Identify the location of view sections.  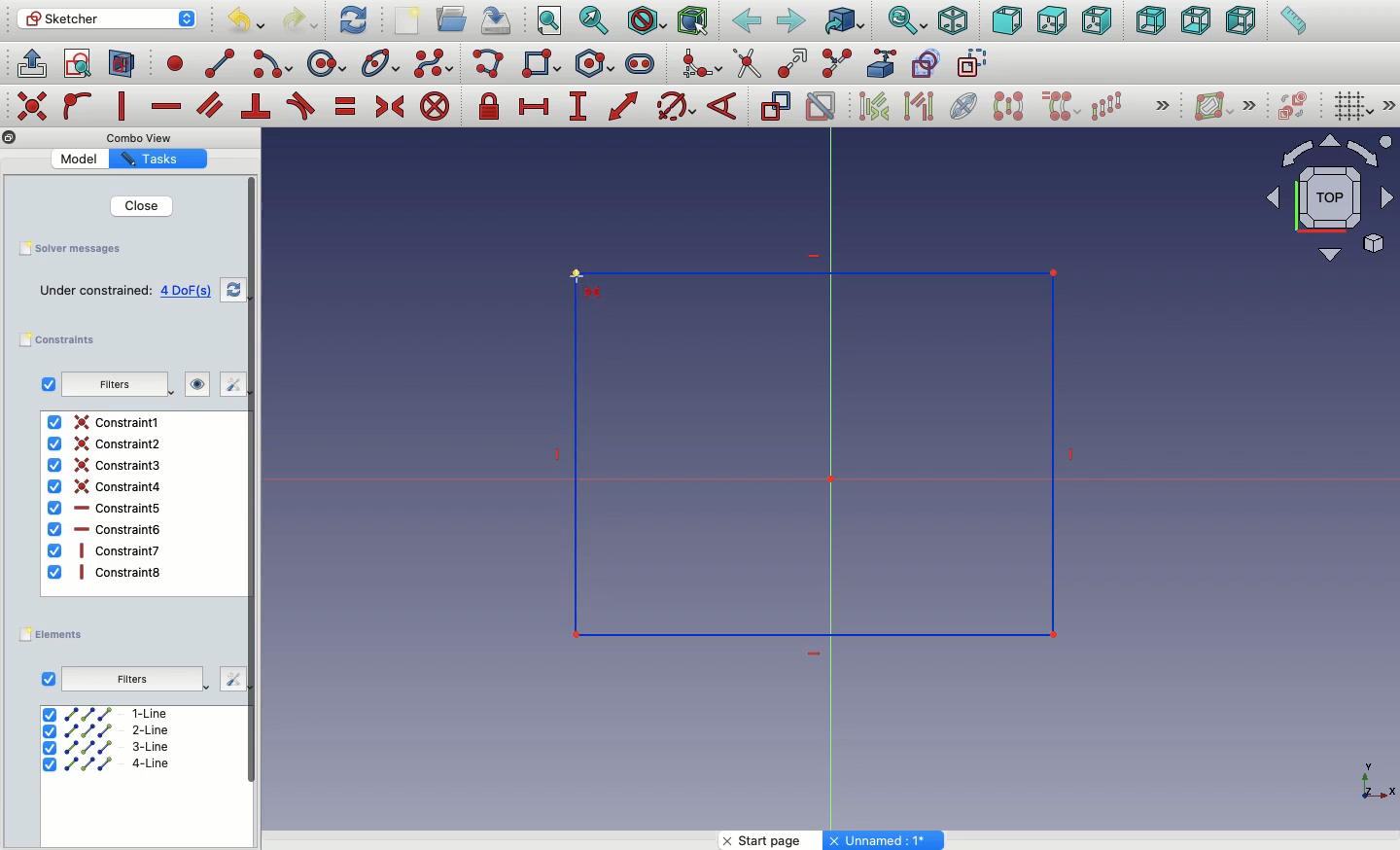
(126, 65).